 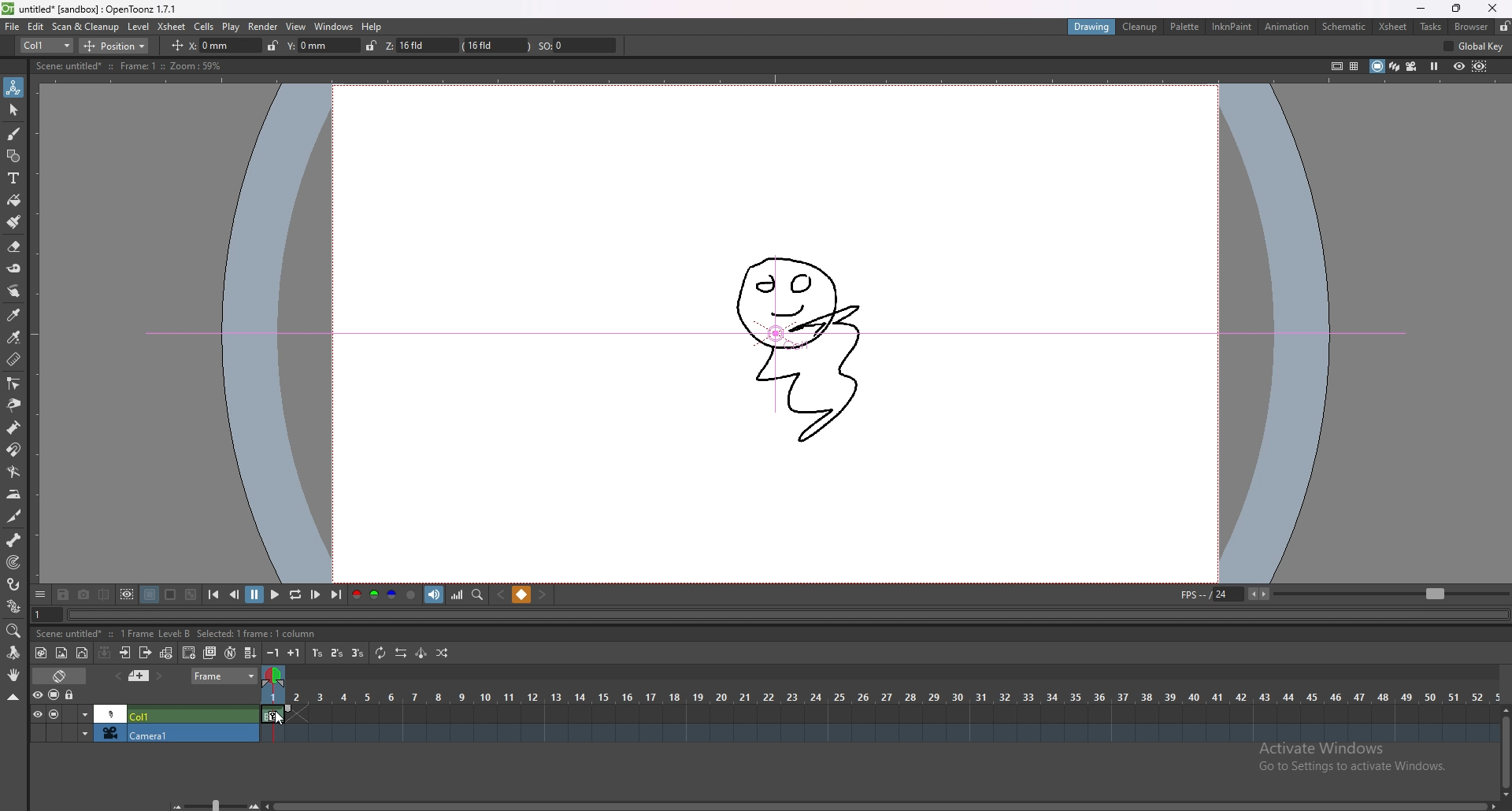 I want to click on compare to snapshot, so click(x=104, y=594).